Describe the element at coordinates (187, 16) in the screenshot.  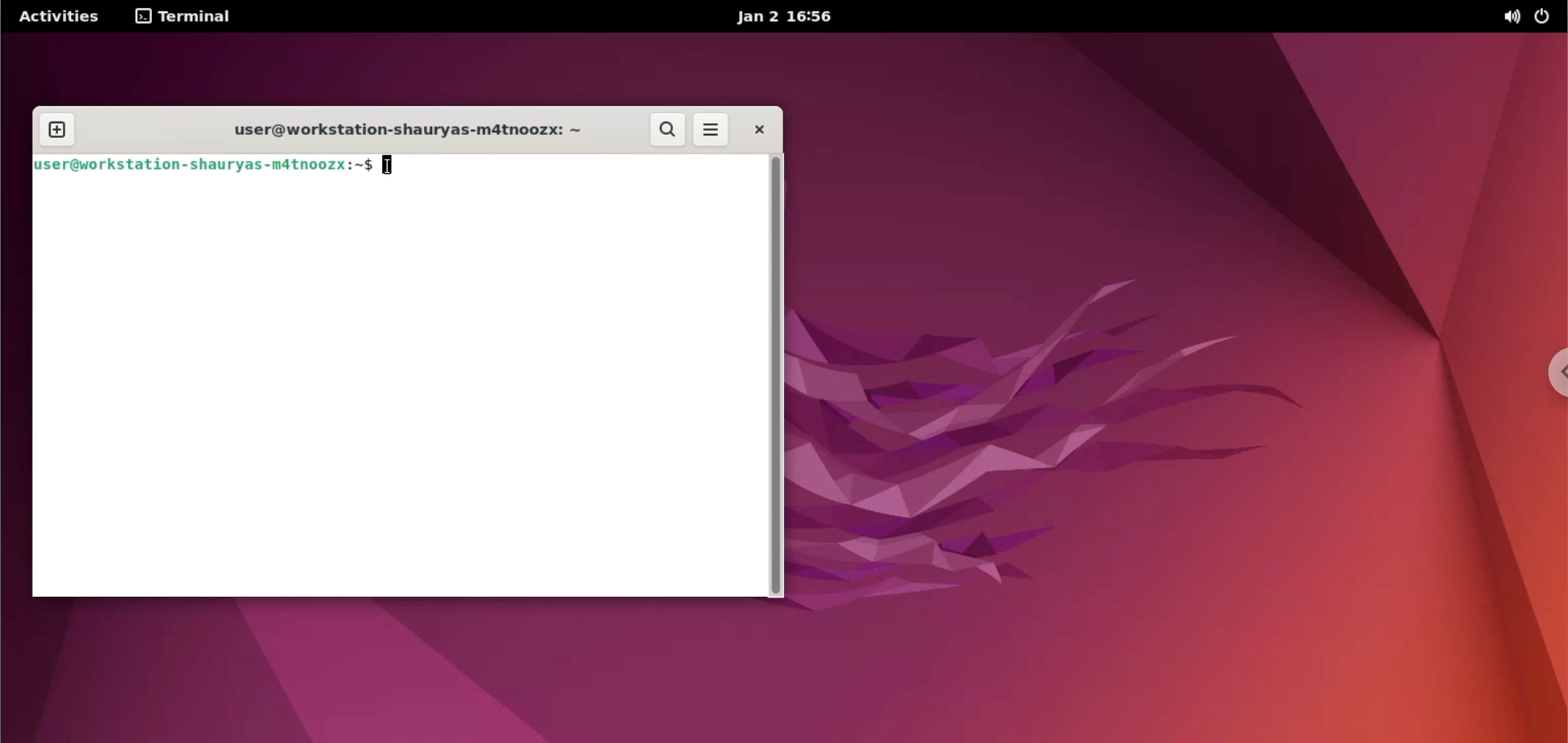
I see `Terminal ` at that location.